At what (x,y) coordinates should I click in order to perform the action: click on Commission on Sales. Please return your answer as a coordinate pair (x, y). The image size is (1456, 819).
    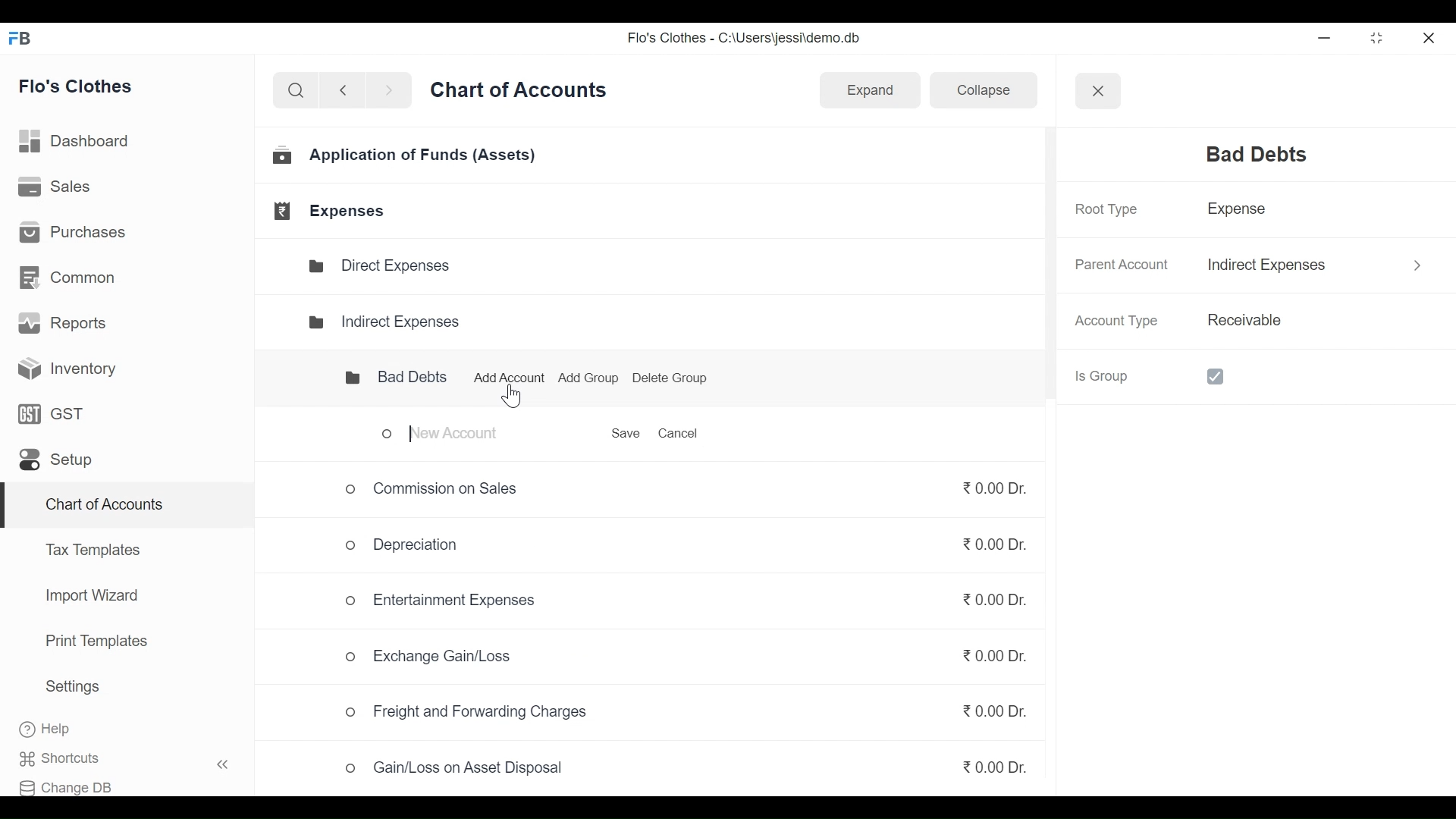
    Looking at the image, I should click on (433, 488).